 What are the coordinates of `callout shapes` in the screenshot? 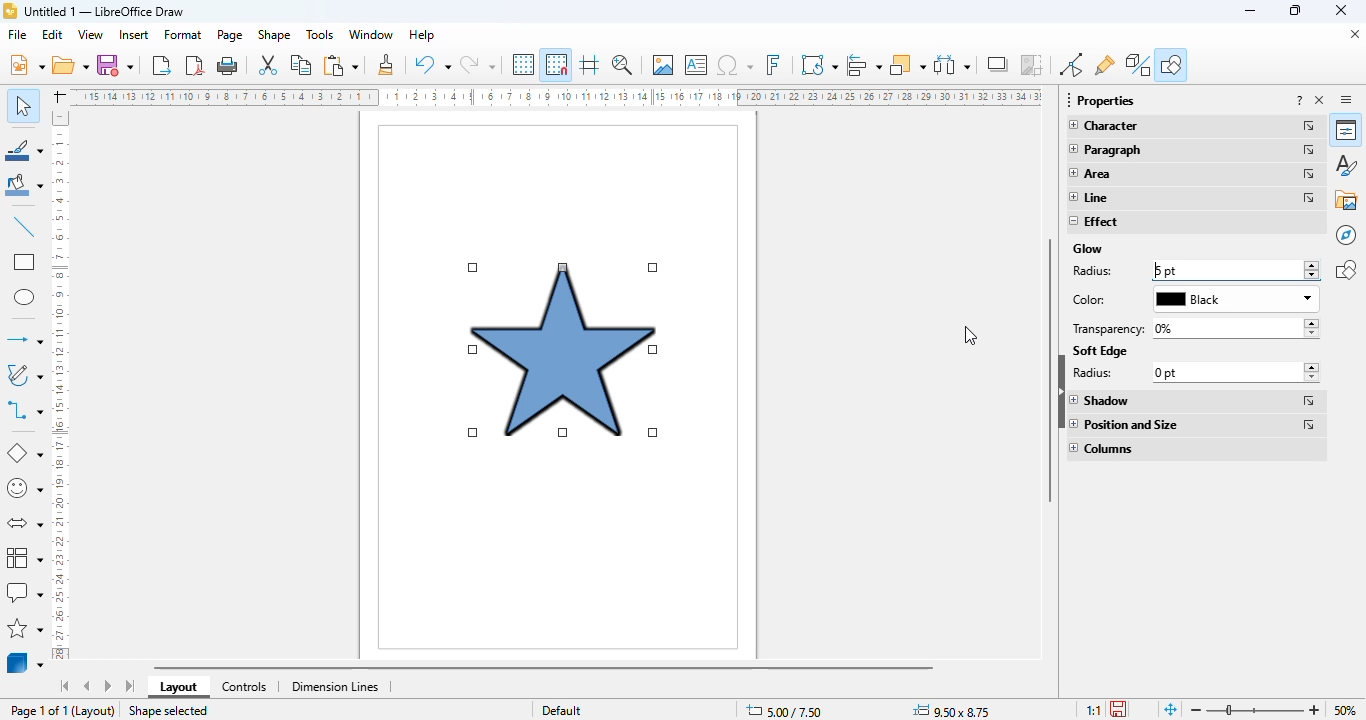 It's located at (24, 591).